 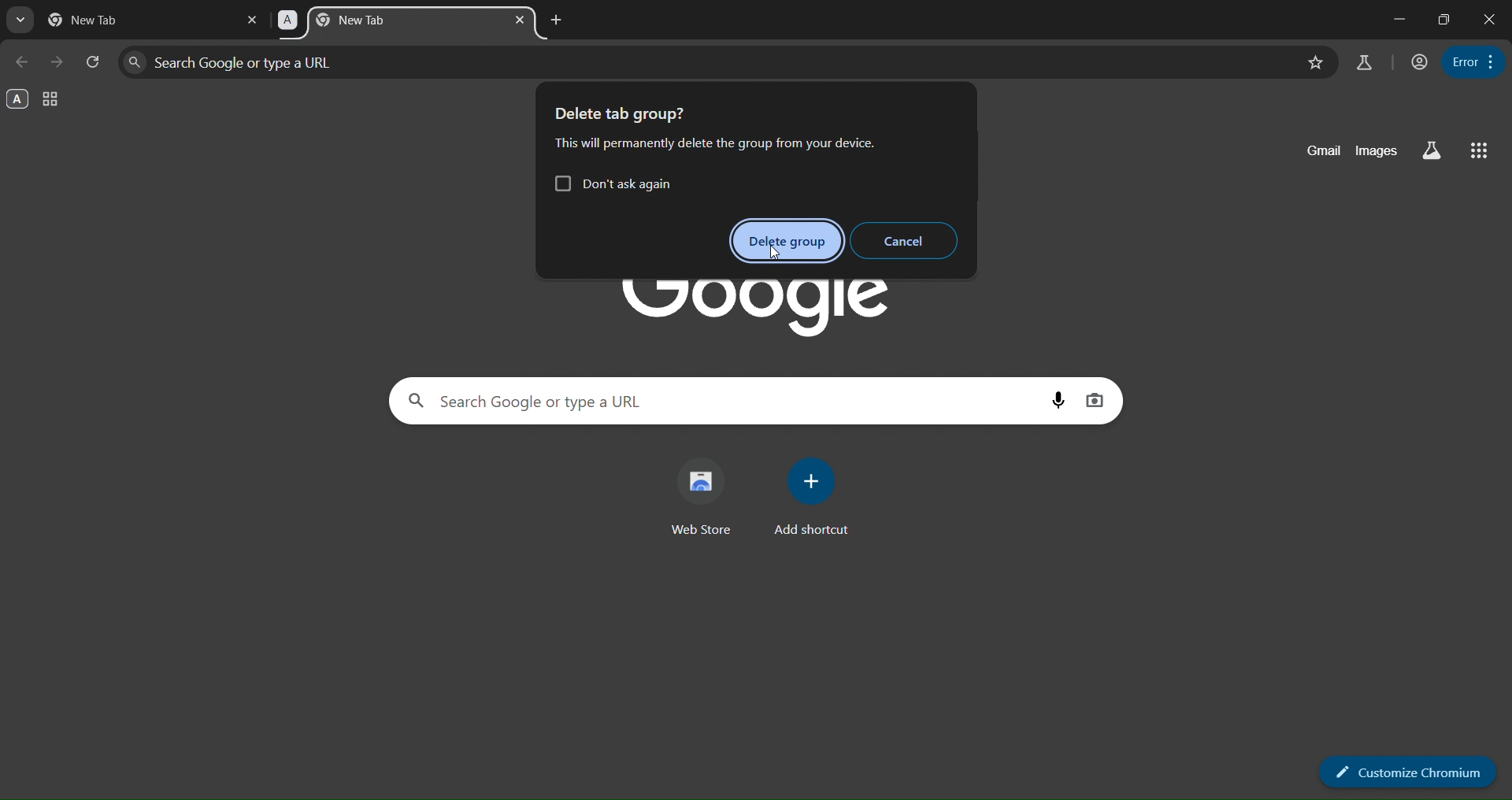 What do you see at coordinates (1313, 62) in the screenshot?
I see `bookmark page` at bounding box center [1313, 62].